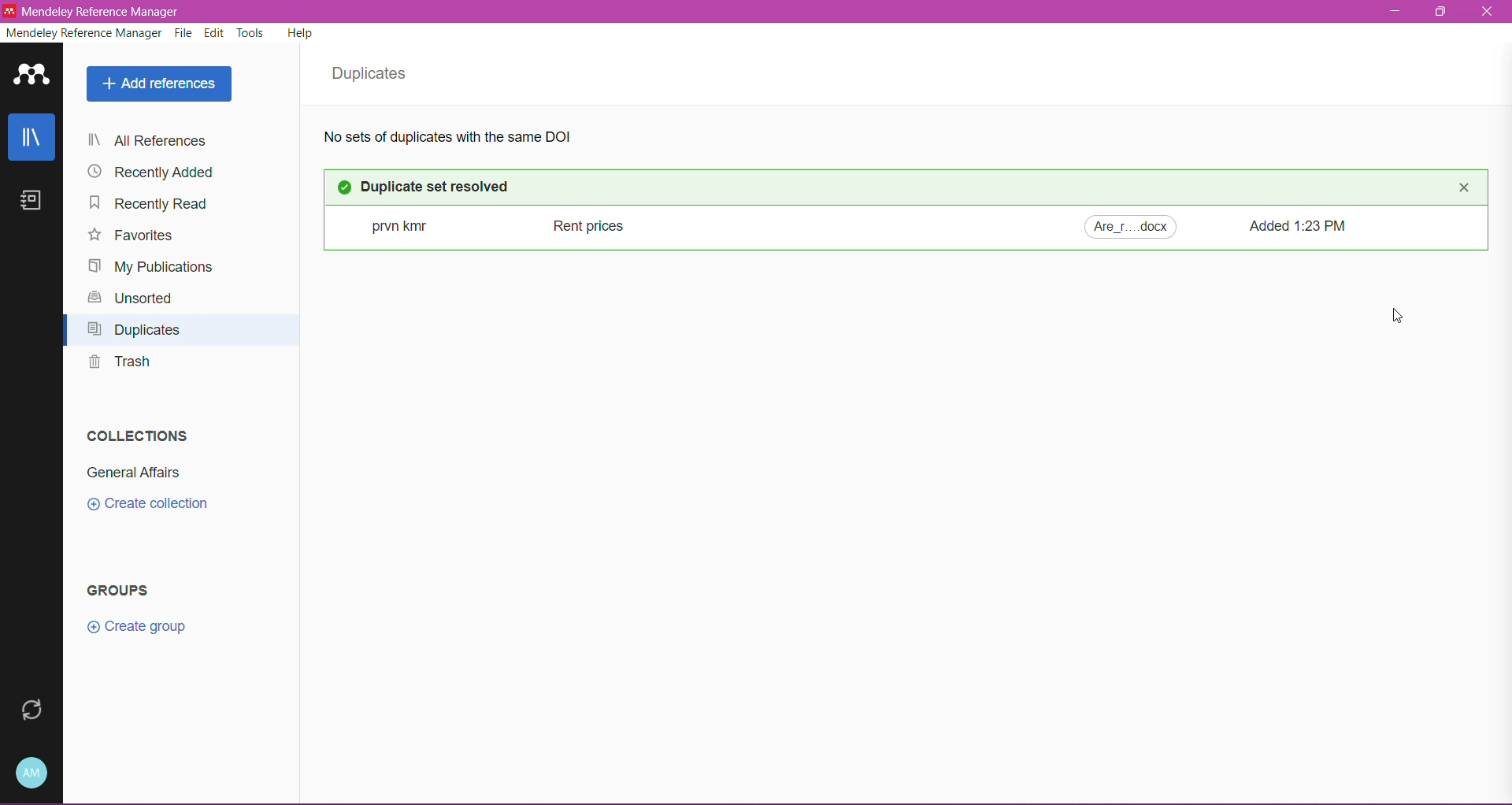 Image resolution: width=1512 pixels, height=805 pixels. Describe the element at coordinates (1397, 317) in the screenshot. I see `Cursor` at that location.